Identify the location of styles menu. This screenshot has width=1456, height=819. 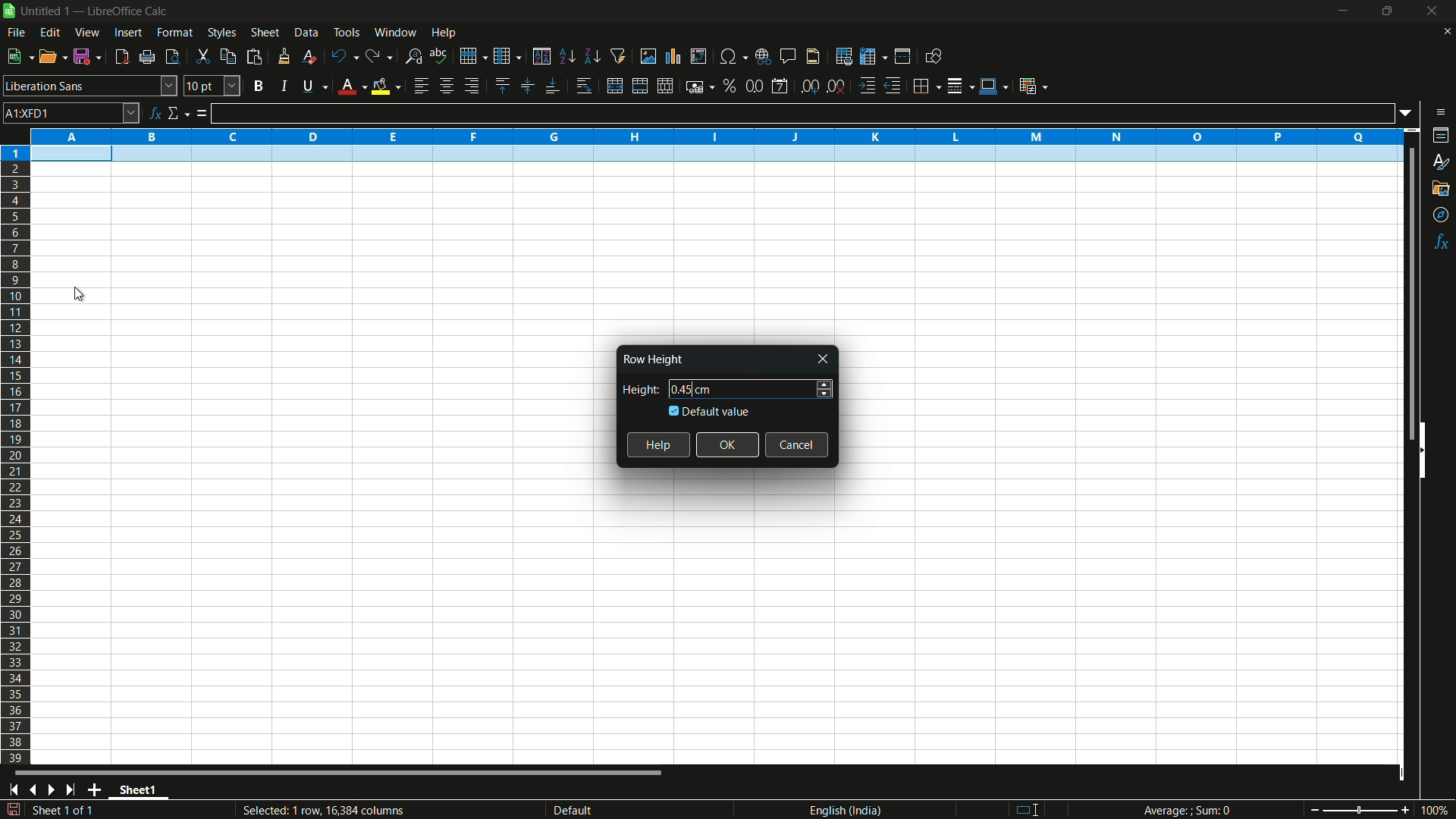
(222, 33).